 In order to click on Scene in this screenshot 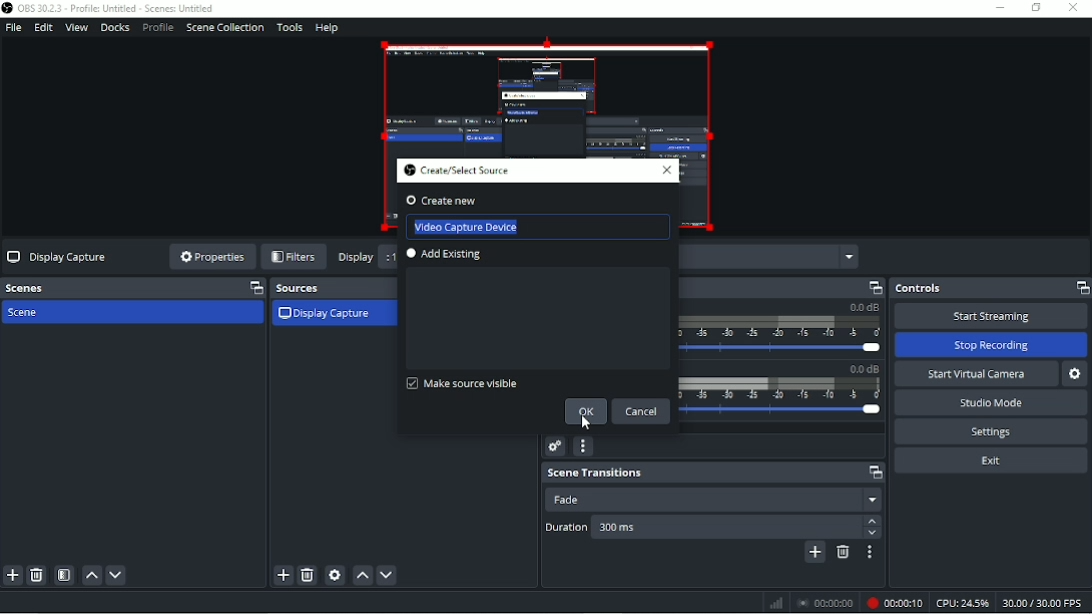, I will do `click(133, 287)`.